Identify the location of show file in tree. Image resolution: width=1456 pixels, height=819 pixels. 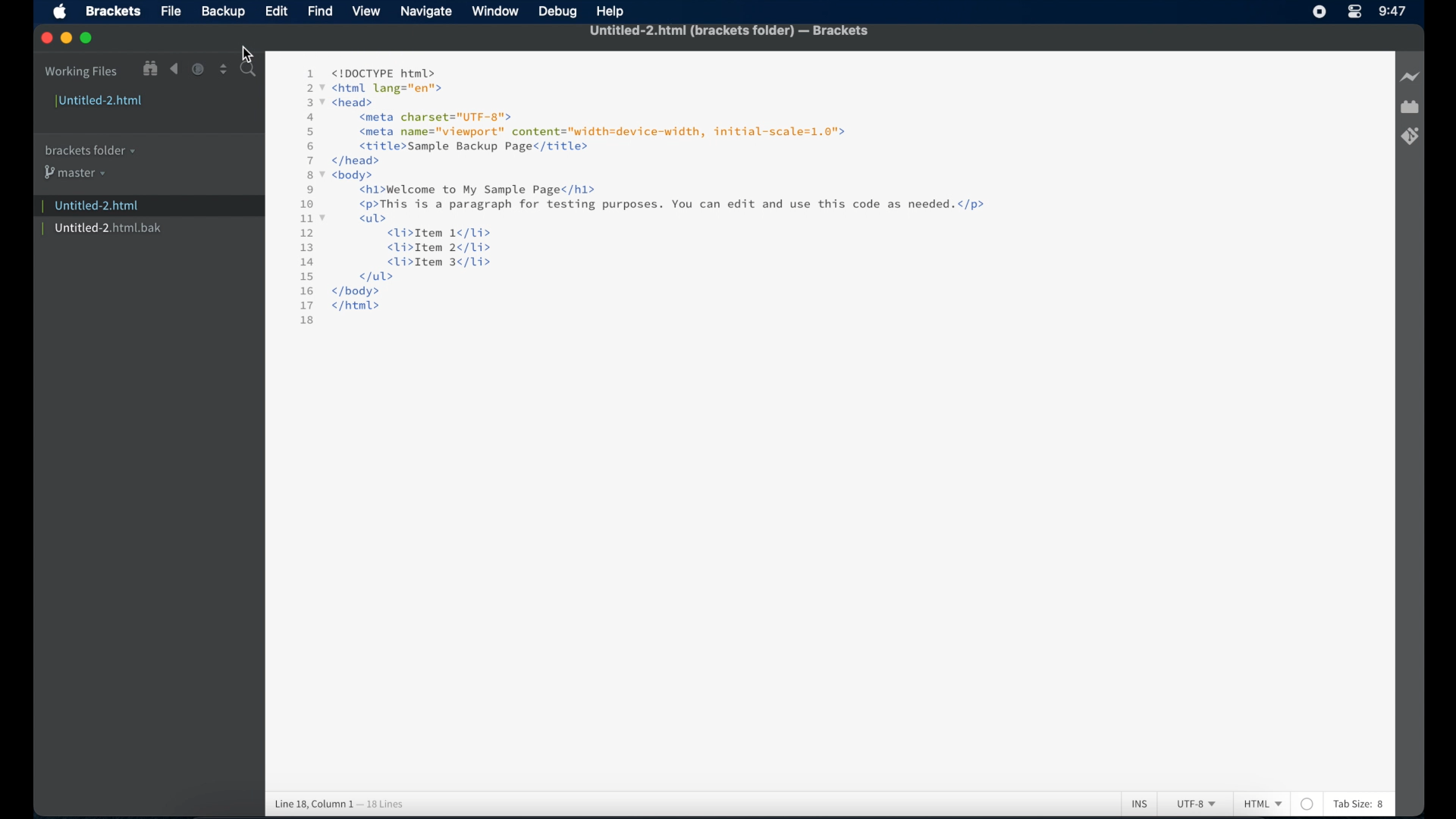
(150, 69).